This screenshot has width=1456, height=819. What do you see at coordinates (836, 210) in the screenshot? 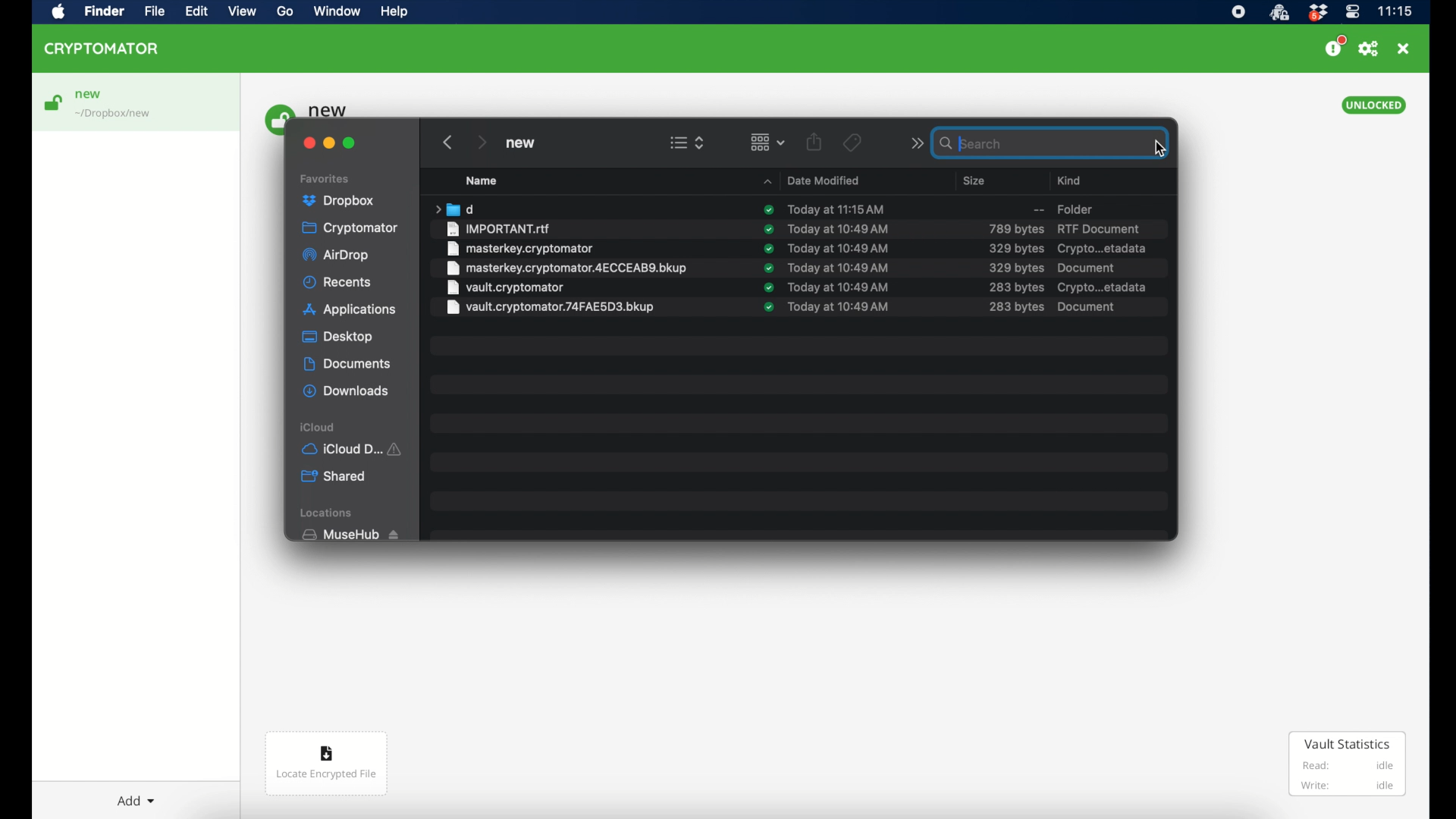
I see `date` at bounding box center [836, 210].